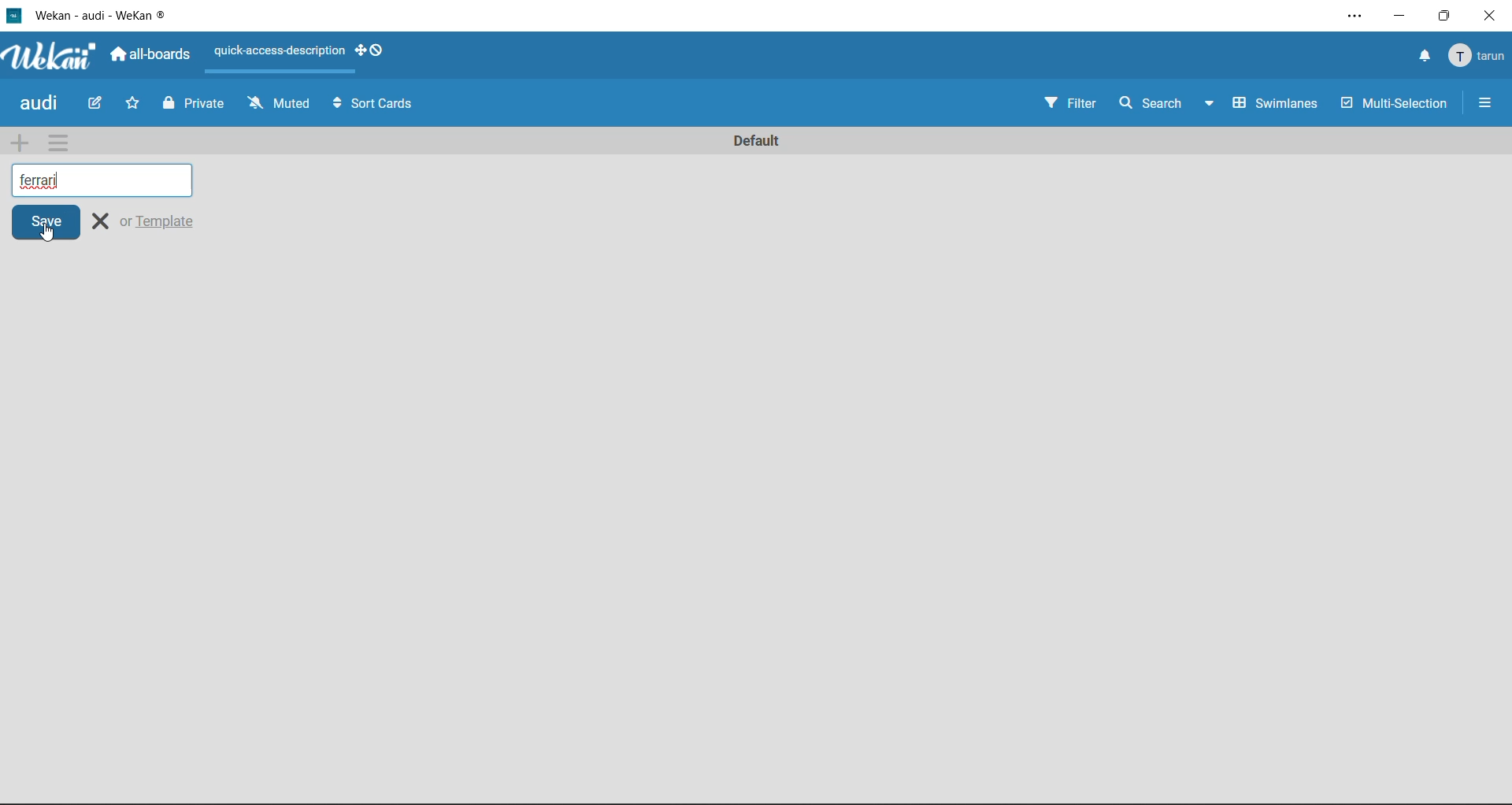  What do you see at coordinates (70, 142) in the screenshot?
I see `swimlane actions` at bounding box center [70, 142].